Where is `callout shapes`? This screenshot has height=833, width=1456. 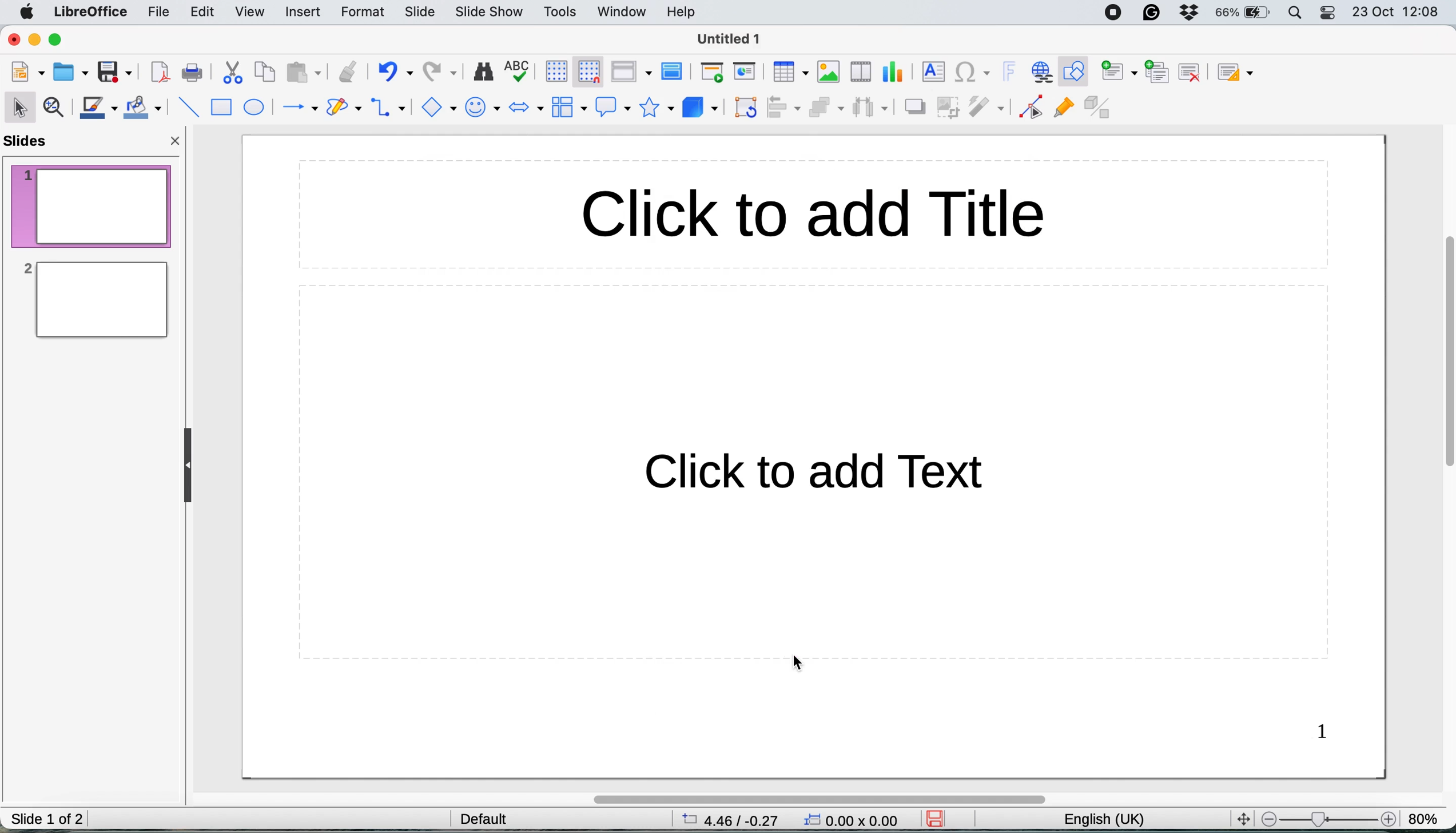
callout shapes is located at coordinates (609, 106).